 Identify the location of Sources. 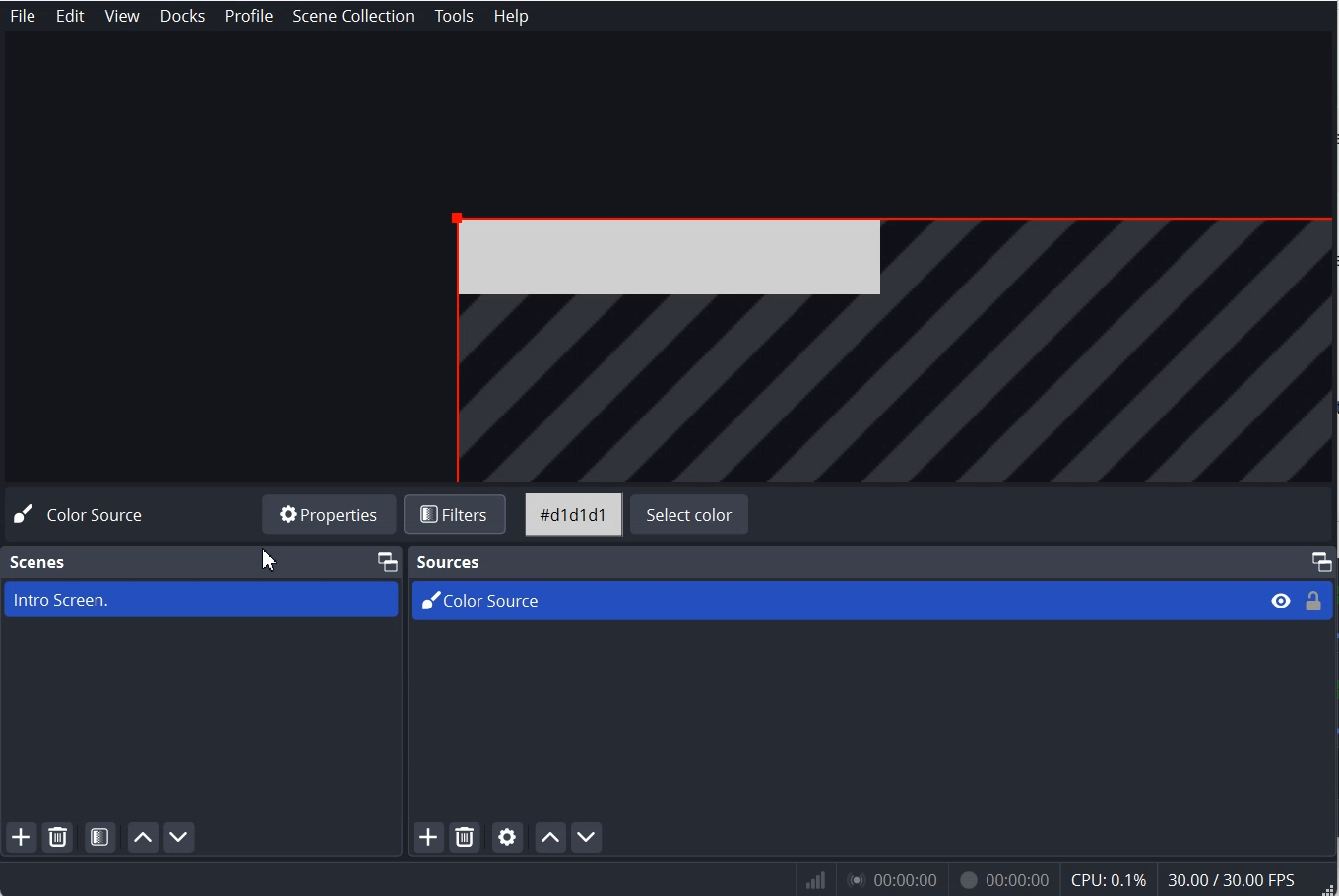
(447, 560).